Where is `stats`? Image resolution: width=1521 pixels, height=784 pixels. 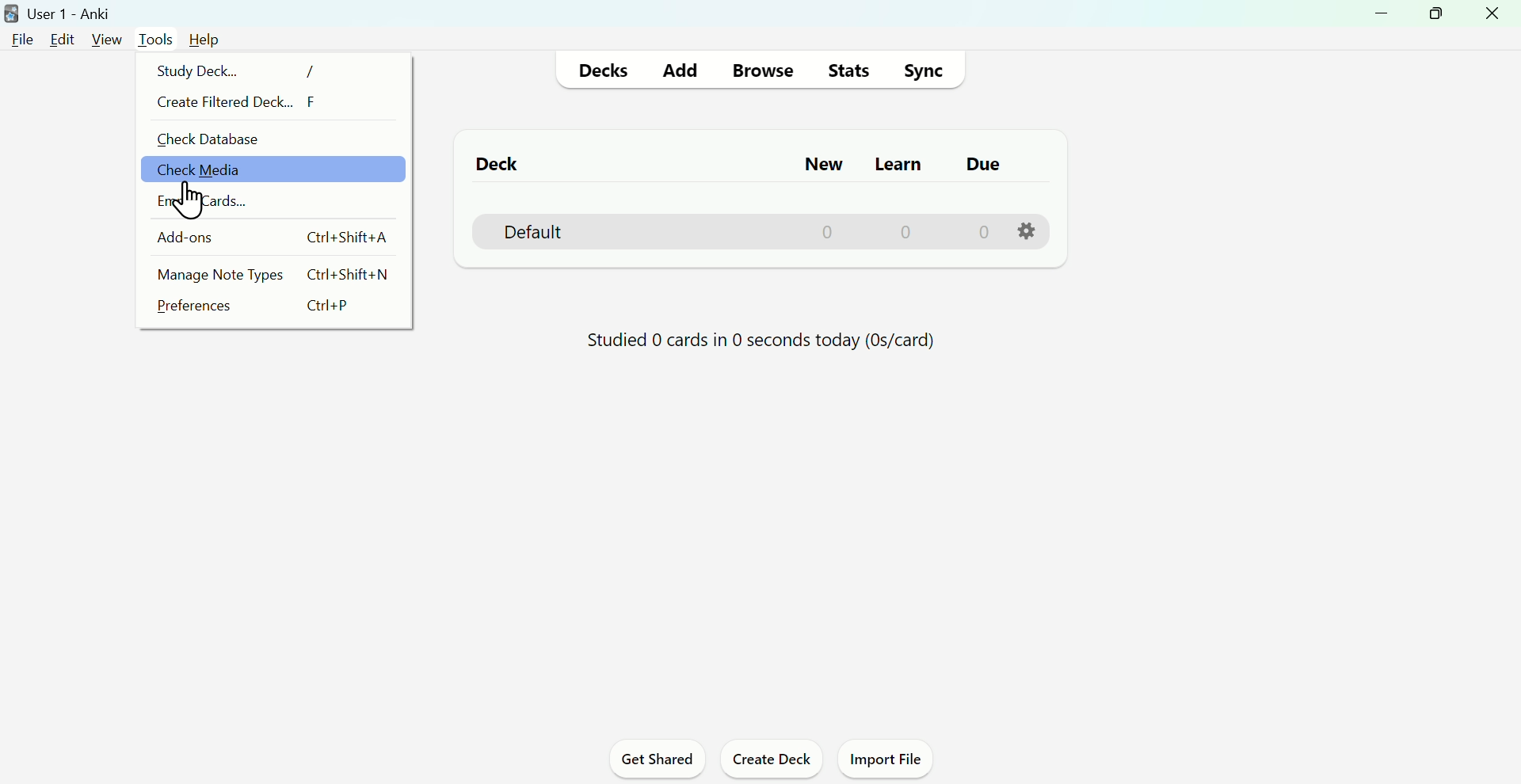
stats is located at coordinates (847, 70).